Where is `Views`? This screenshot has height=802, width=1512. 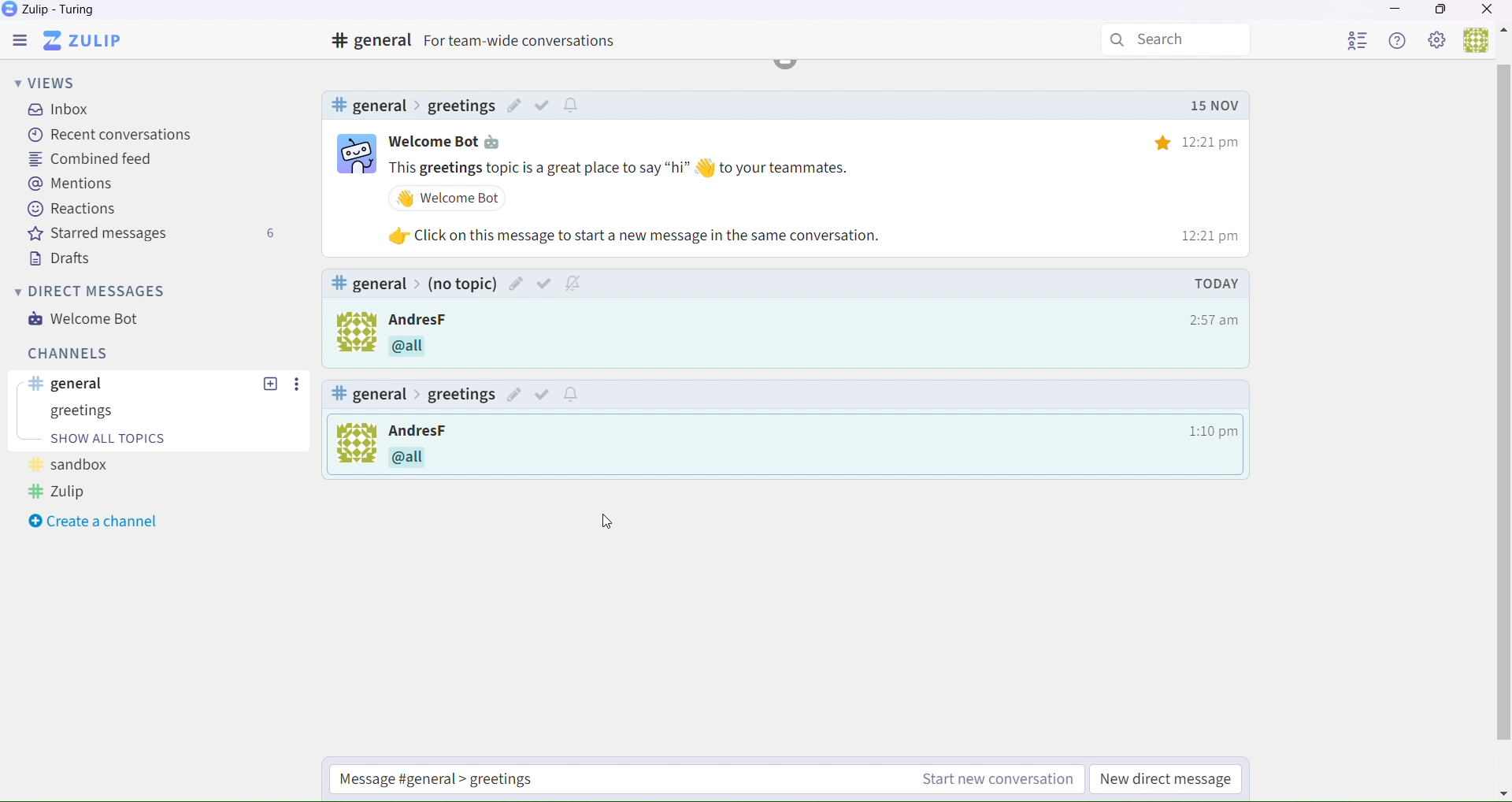 Views is located at coordinates (48, 81).